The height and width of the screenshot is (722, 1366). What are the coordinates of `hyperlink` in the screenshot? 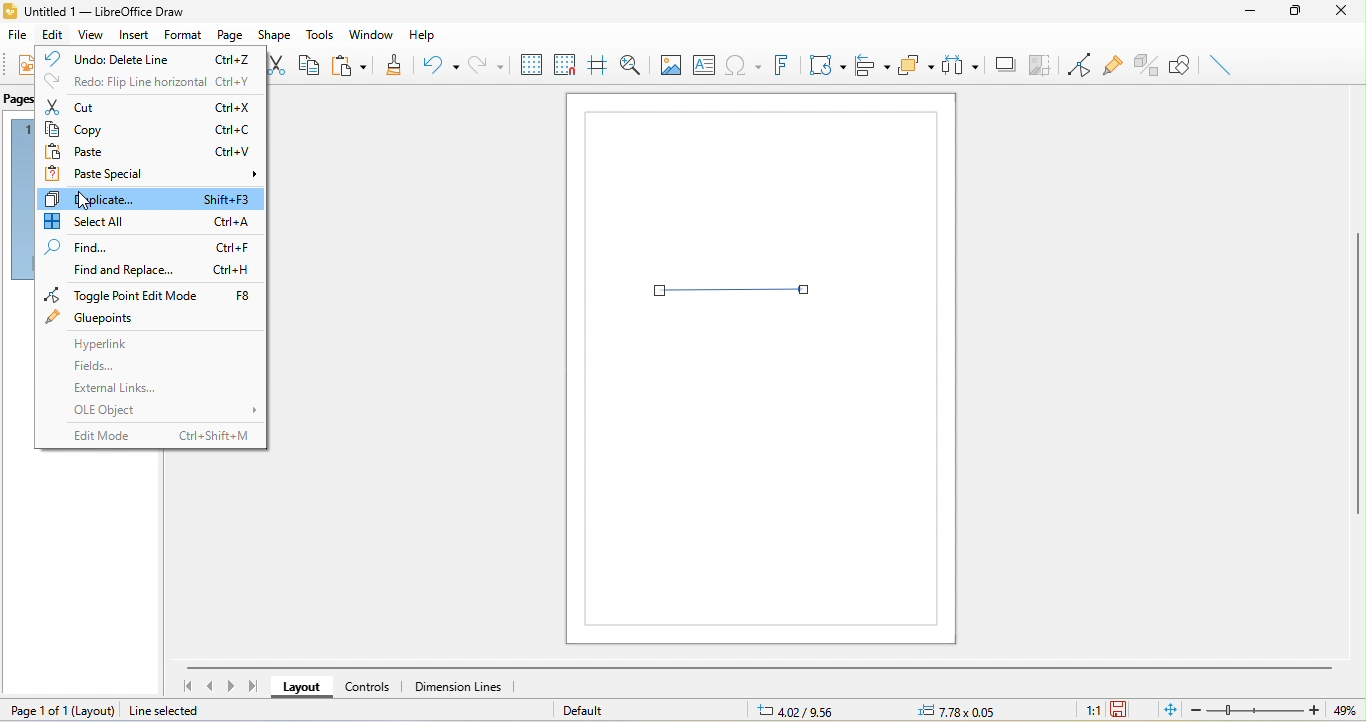 It's located at (117, 348).